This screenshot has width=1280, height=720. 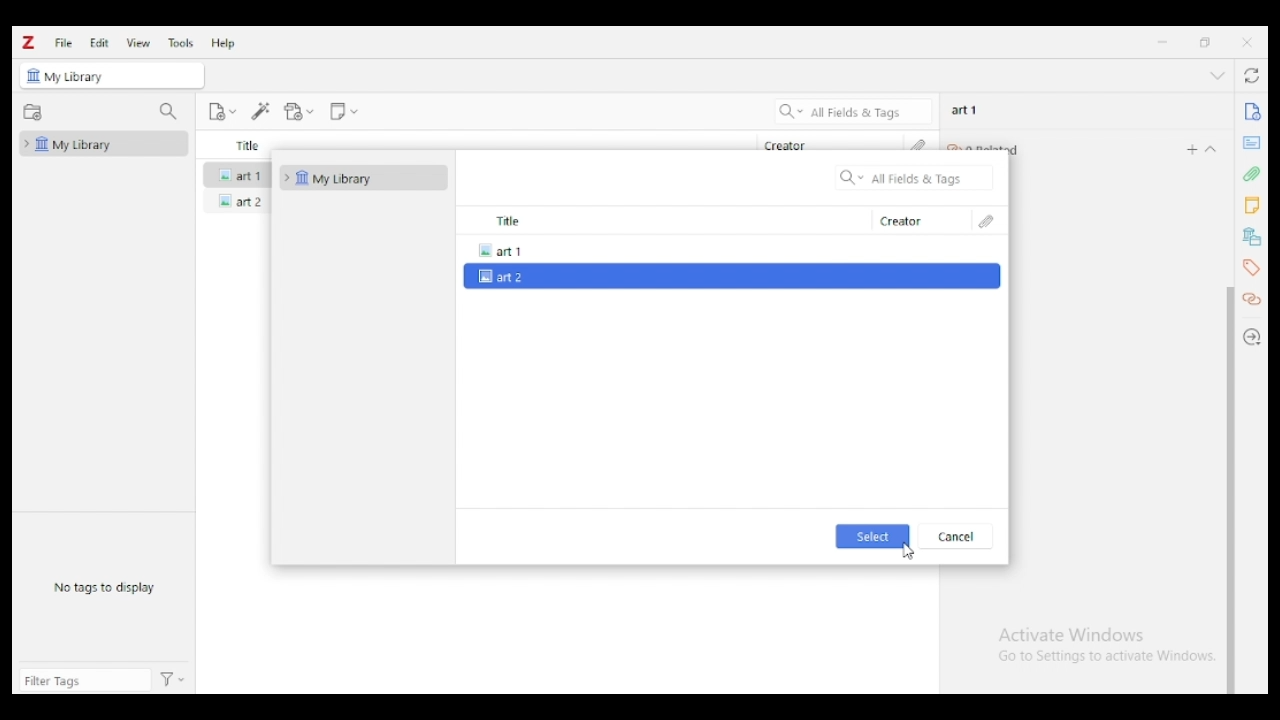 I want to click on vertical scroll bar, so click(x=1230, y=490).